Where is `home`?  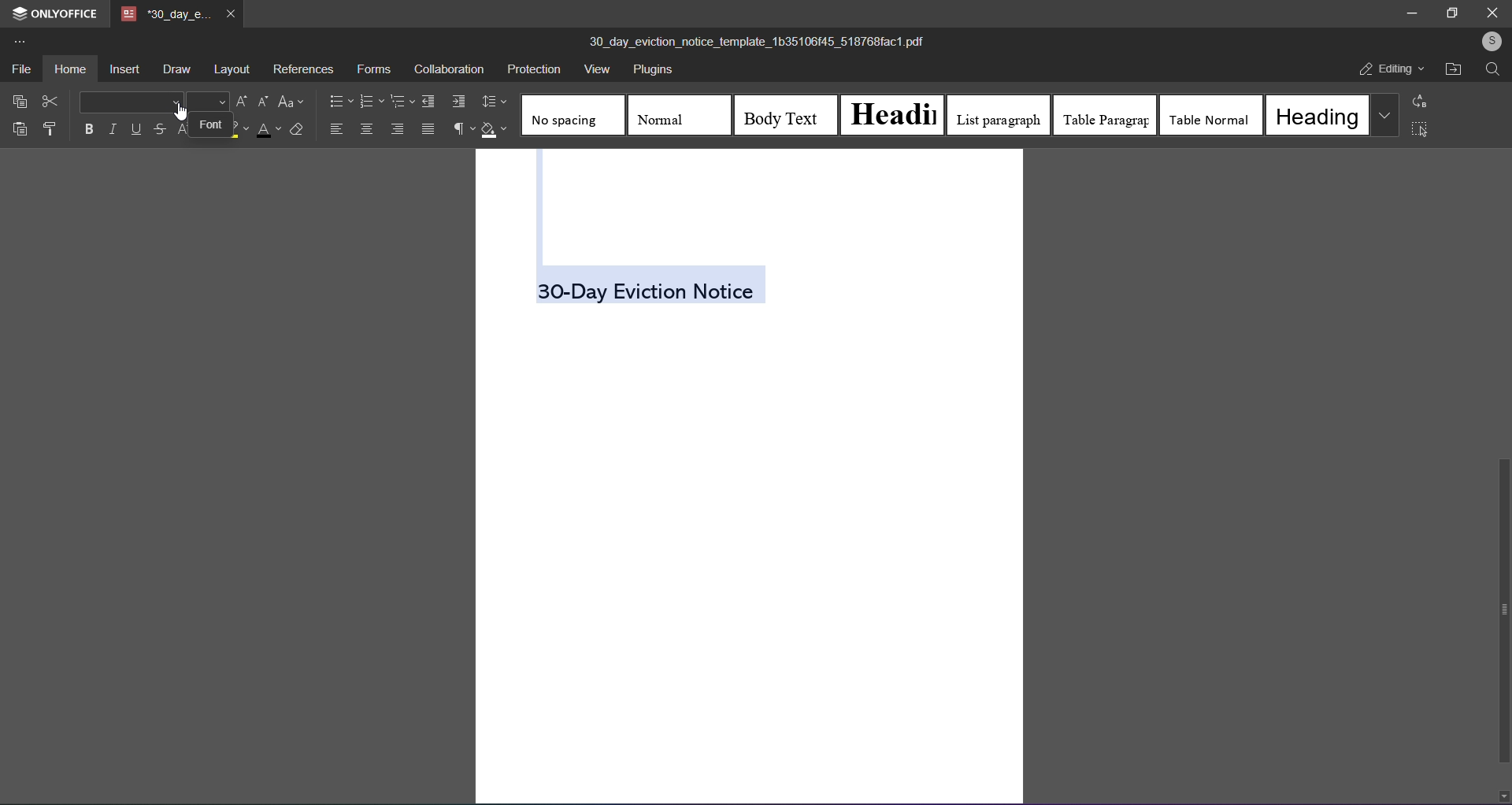
home is located at coordinates (69, 68).